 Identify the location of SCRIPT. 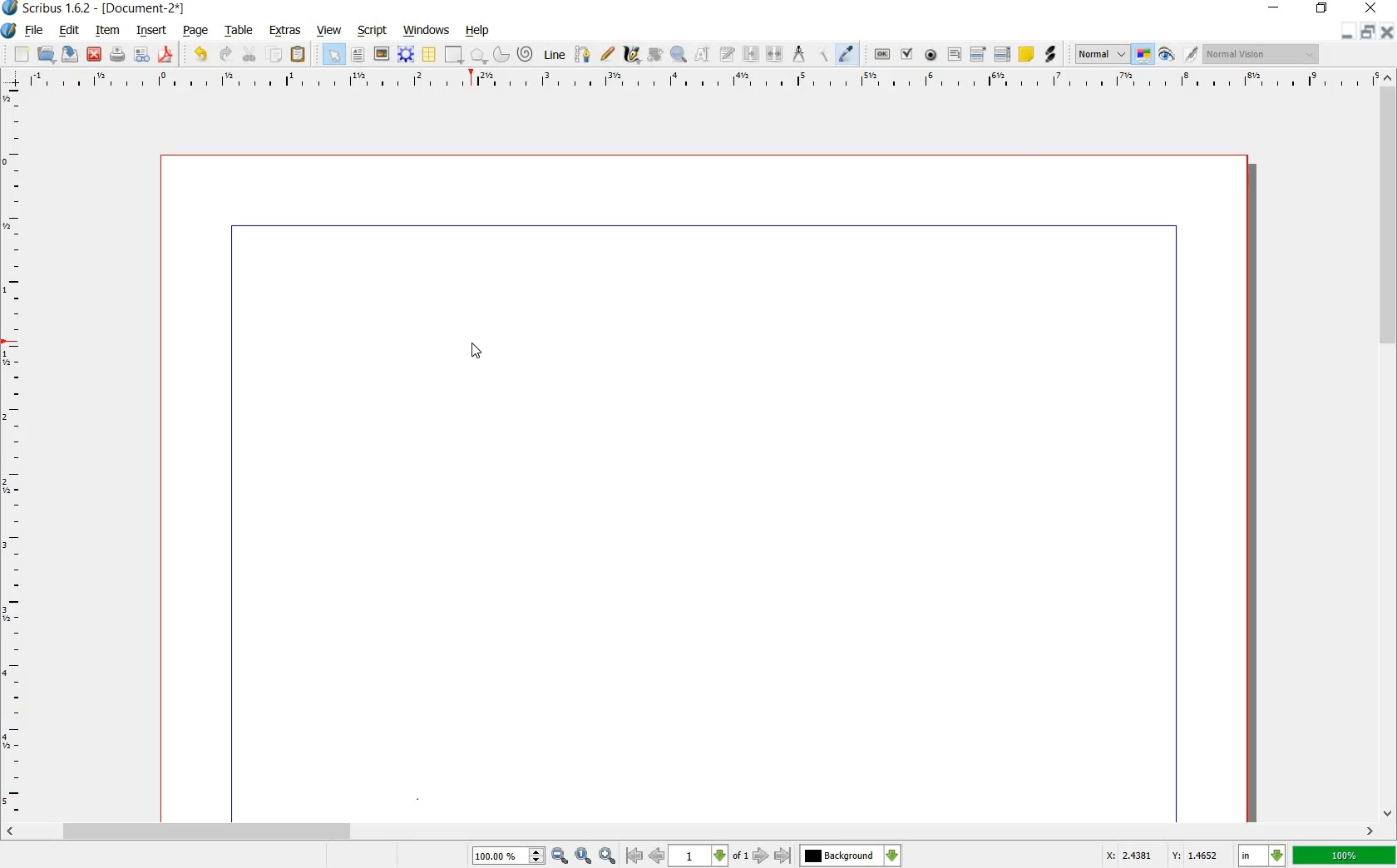
(370, 31).